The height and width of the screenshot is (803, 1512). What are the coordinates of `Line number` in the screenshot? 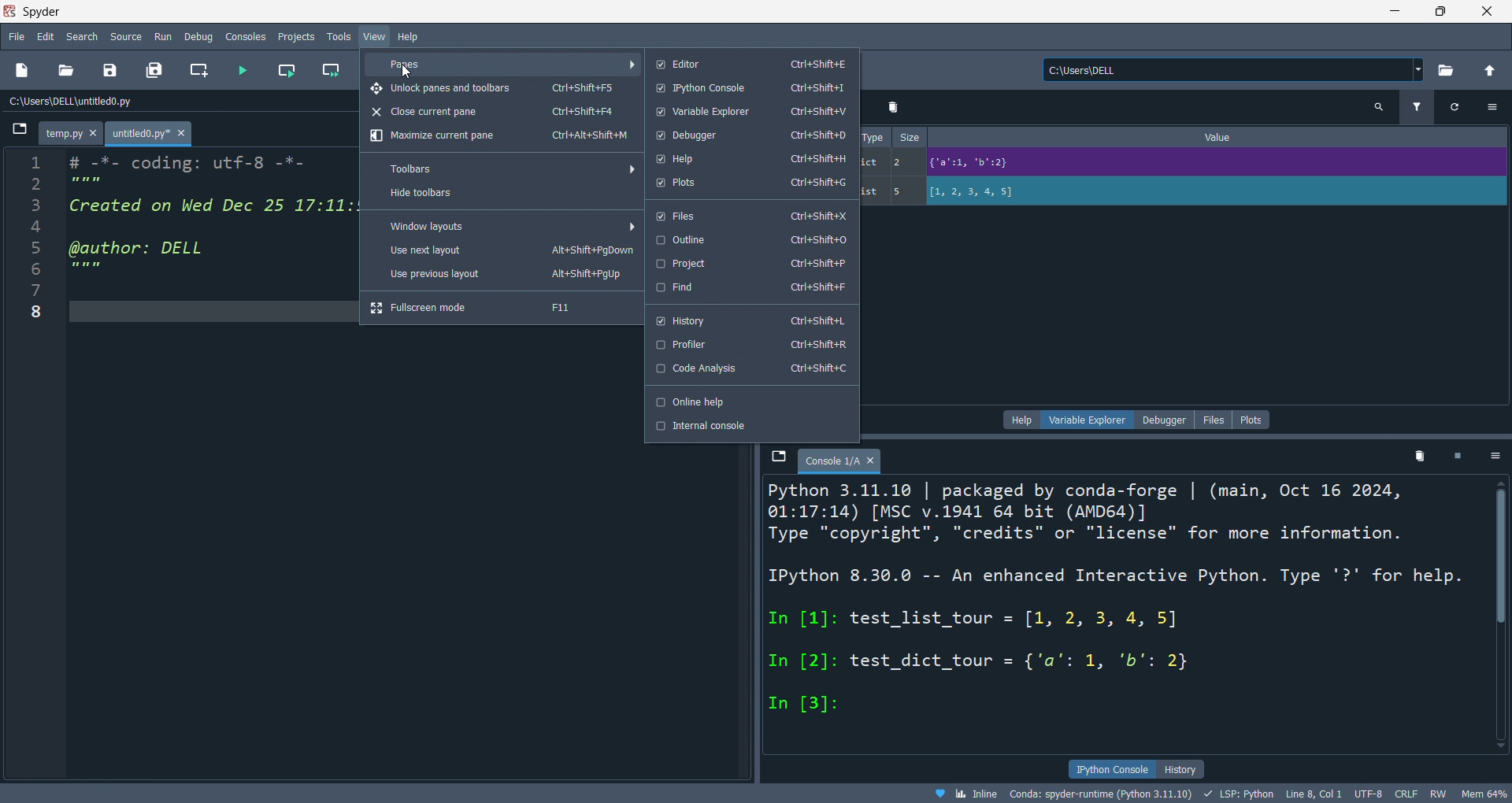 It's located at (35, 242).